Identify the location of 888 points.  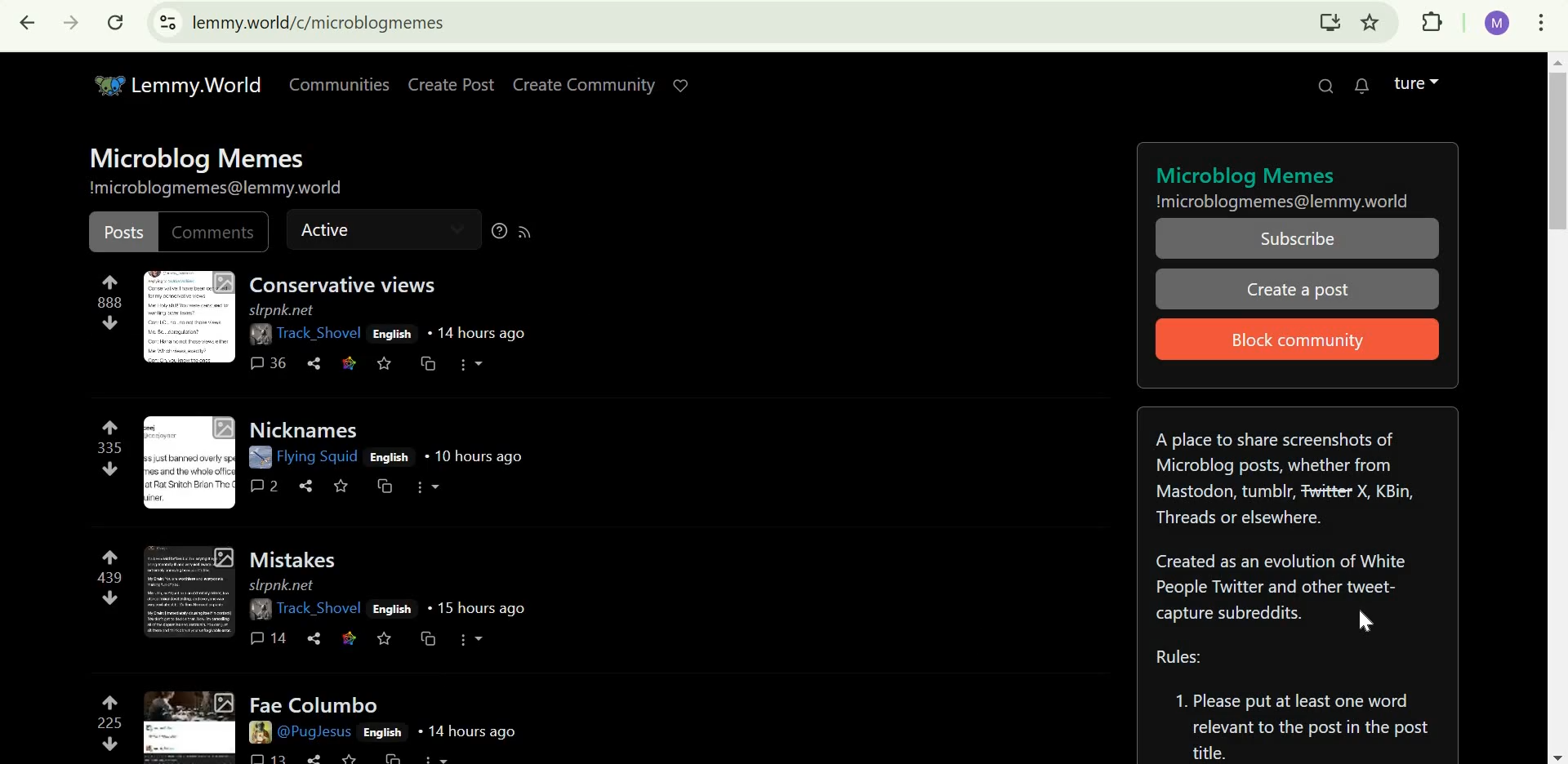
(118, 301).